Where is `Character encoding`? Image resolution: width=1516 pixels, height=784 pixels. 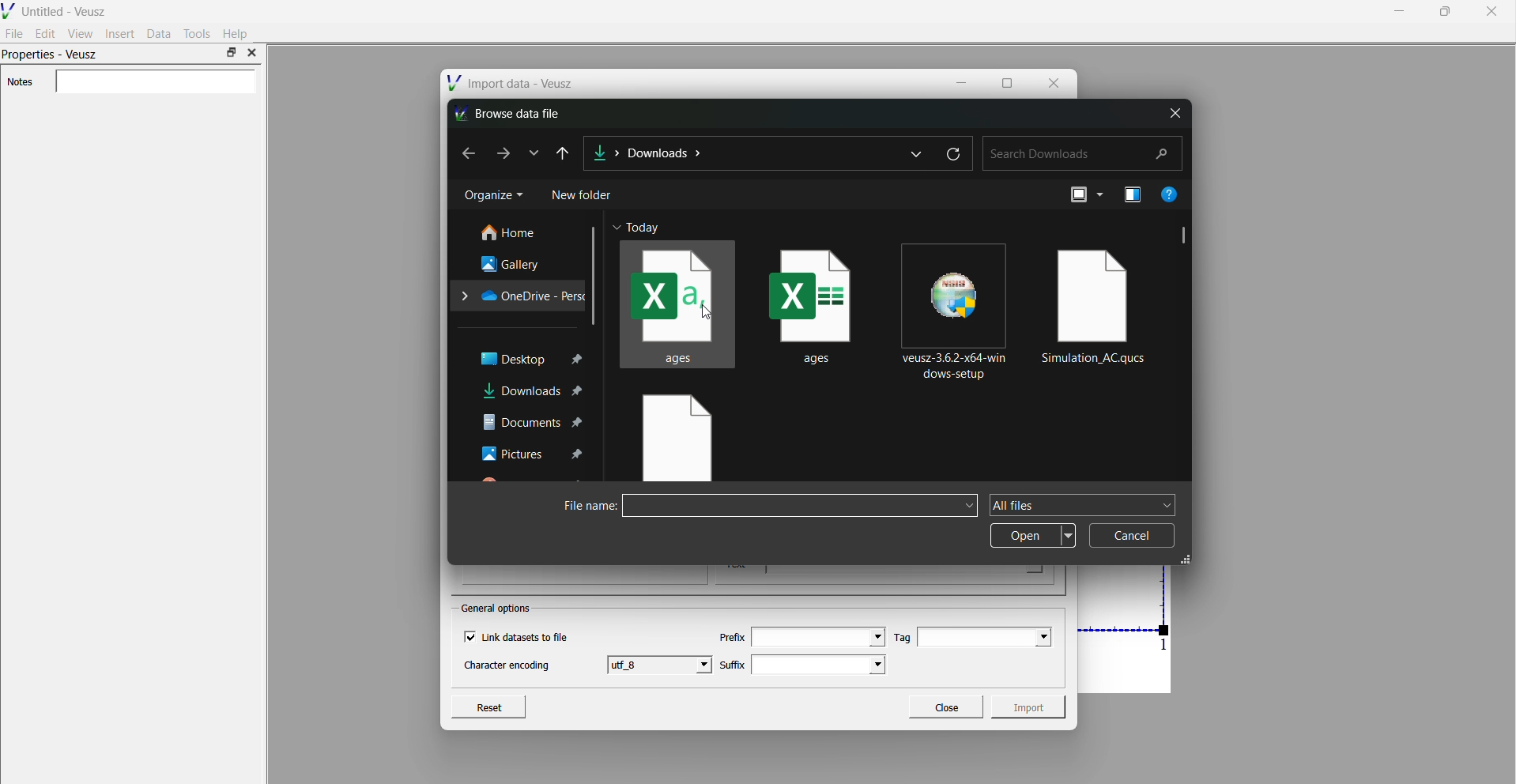 Character encoding is located at coordinates (507, 666).